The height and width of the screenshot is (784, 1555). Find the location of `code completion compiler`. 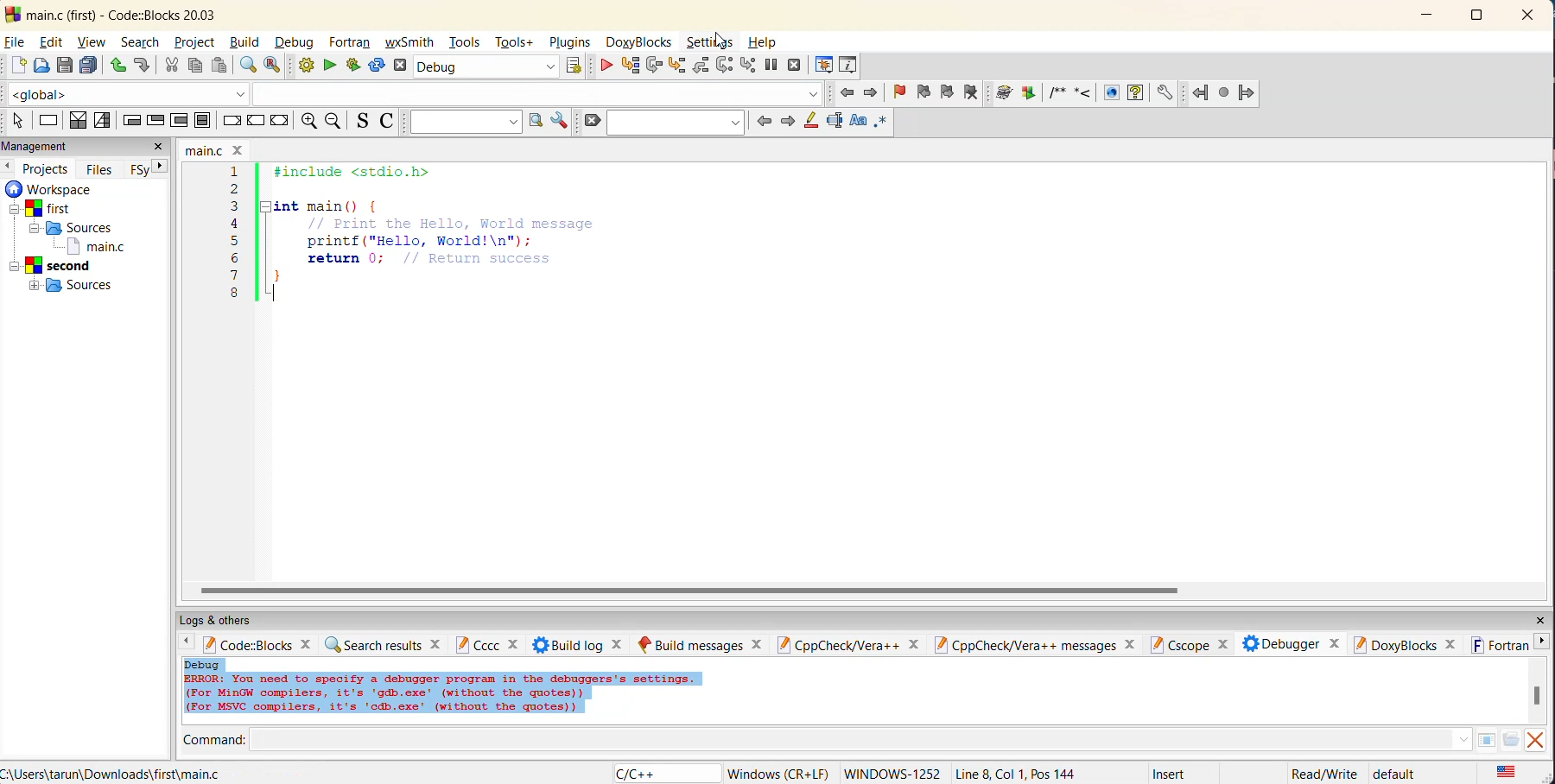

code completion compiler is located at coordinates (414, 95).